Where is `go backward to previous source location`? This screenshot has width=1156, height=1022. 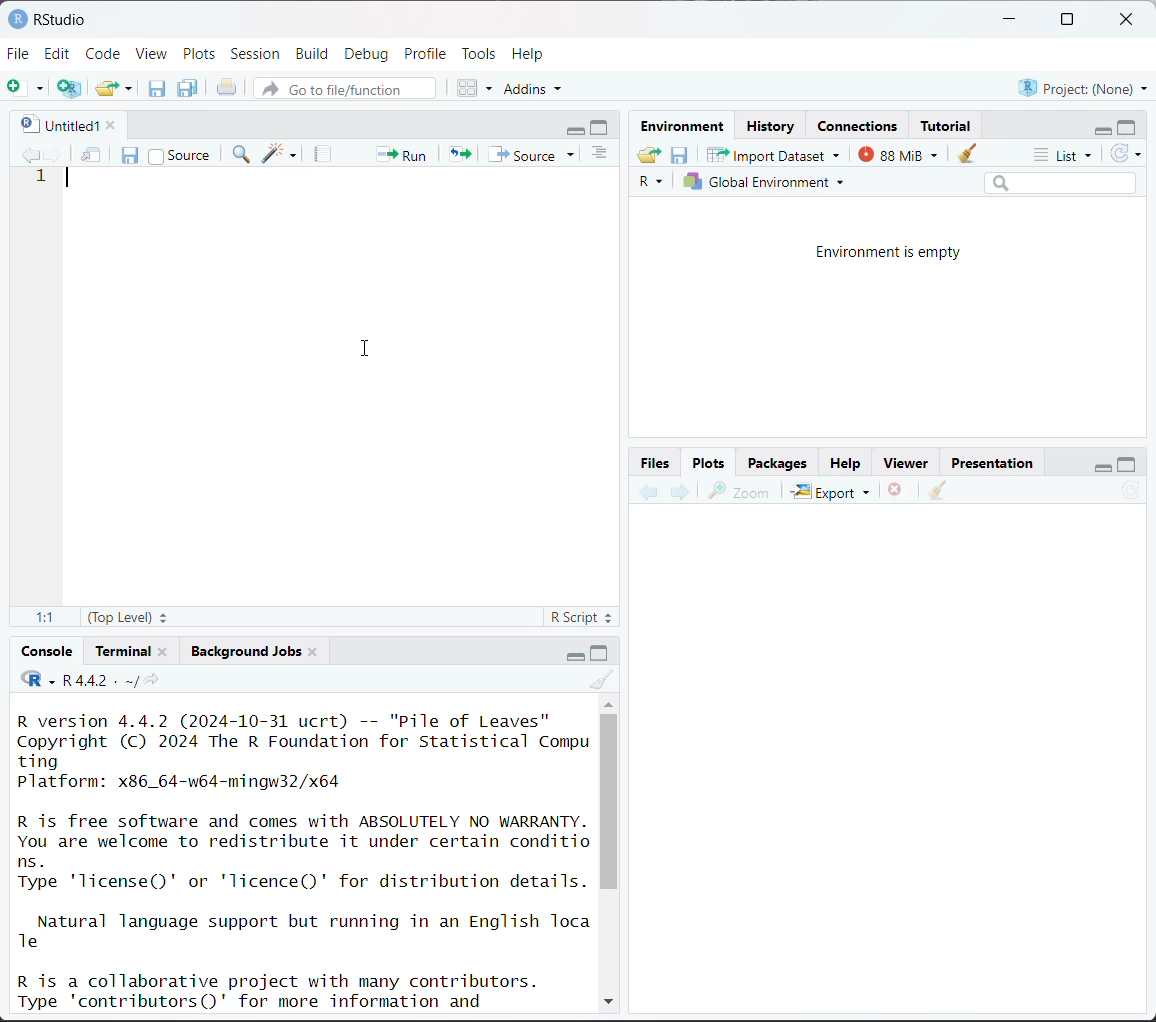 go backward to previous source location is located at coordinates (30, 156).